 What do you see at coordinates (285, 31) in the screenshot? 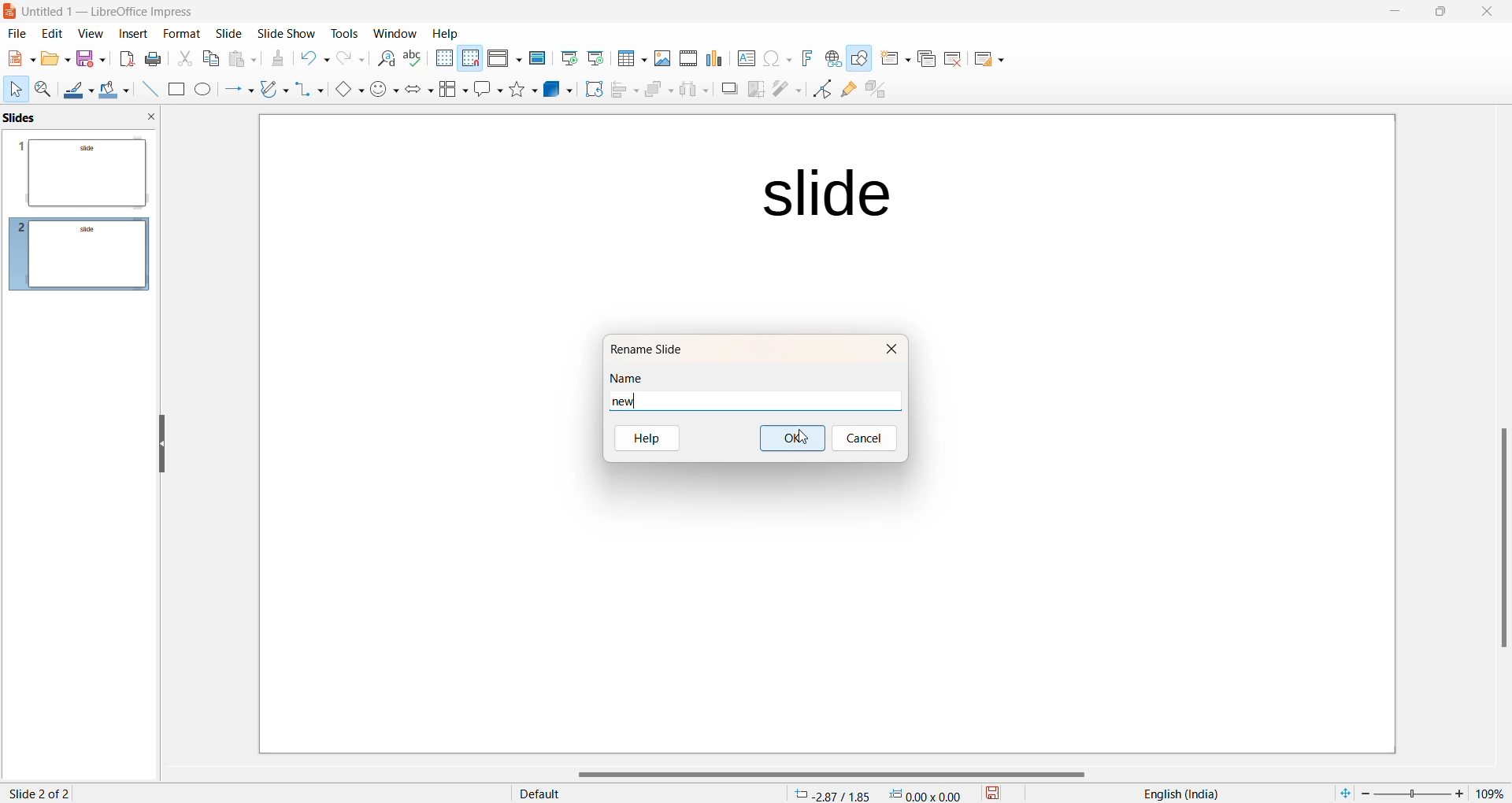
I see `Slide show` at bounding box center [285, 31].